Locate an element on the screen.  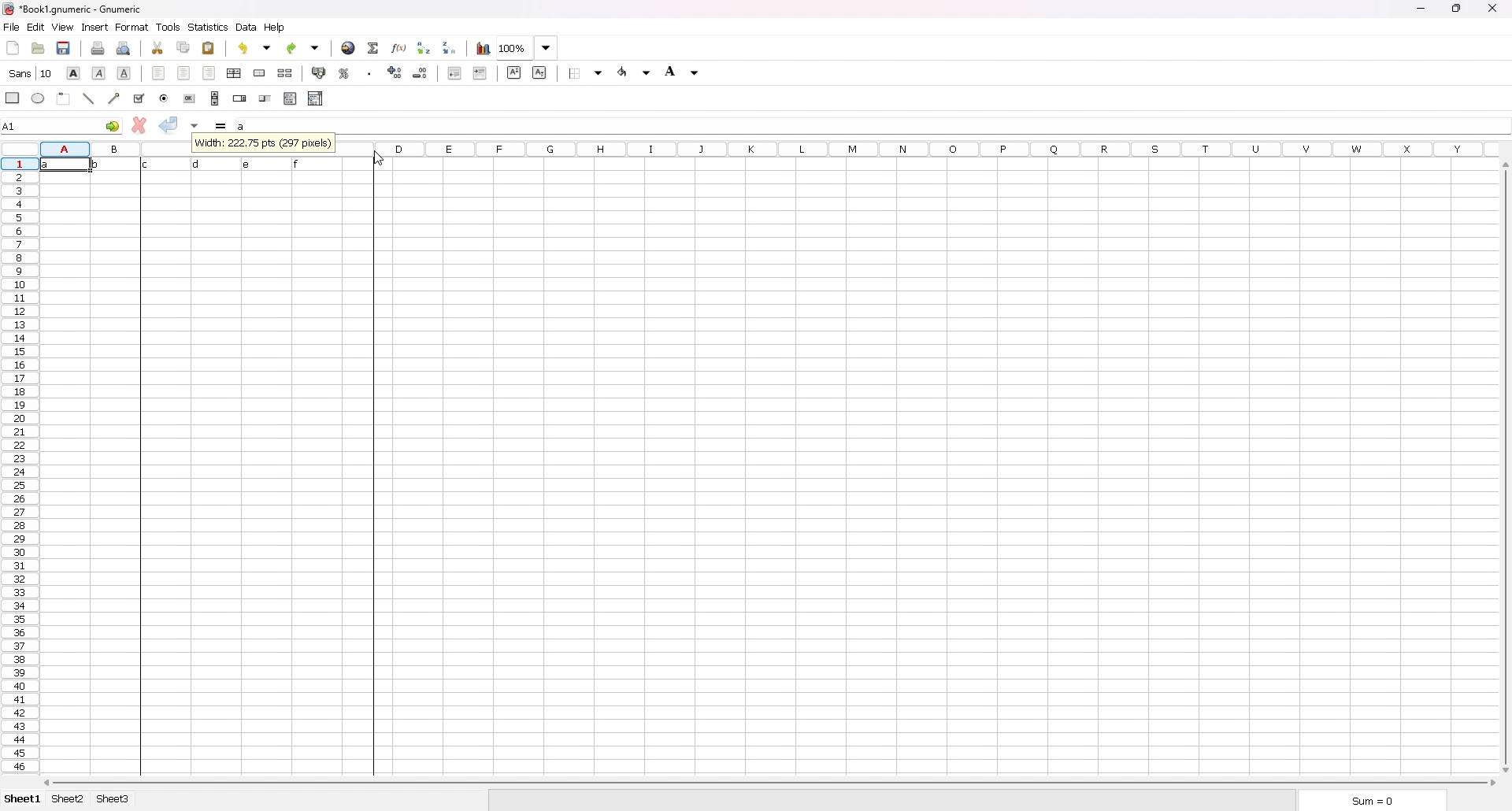
ROWS is located at coordinates (113, 146).